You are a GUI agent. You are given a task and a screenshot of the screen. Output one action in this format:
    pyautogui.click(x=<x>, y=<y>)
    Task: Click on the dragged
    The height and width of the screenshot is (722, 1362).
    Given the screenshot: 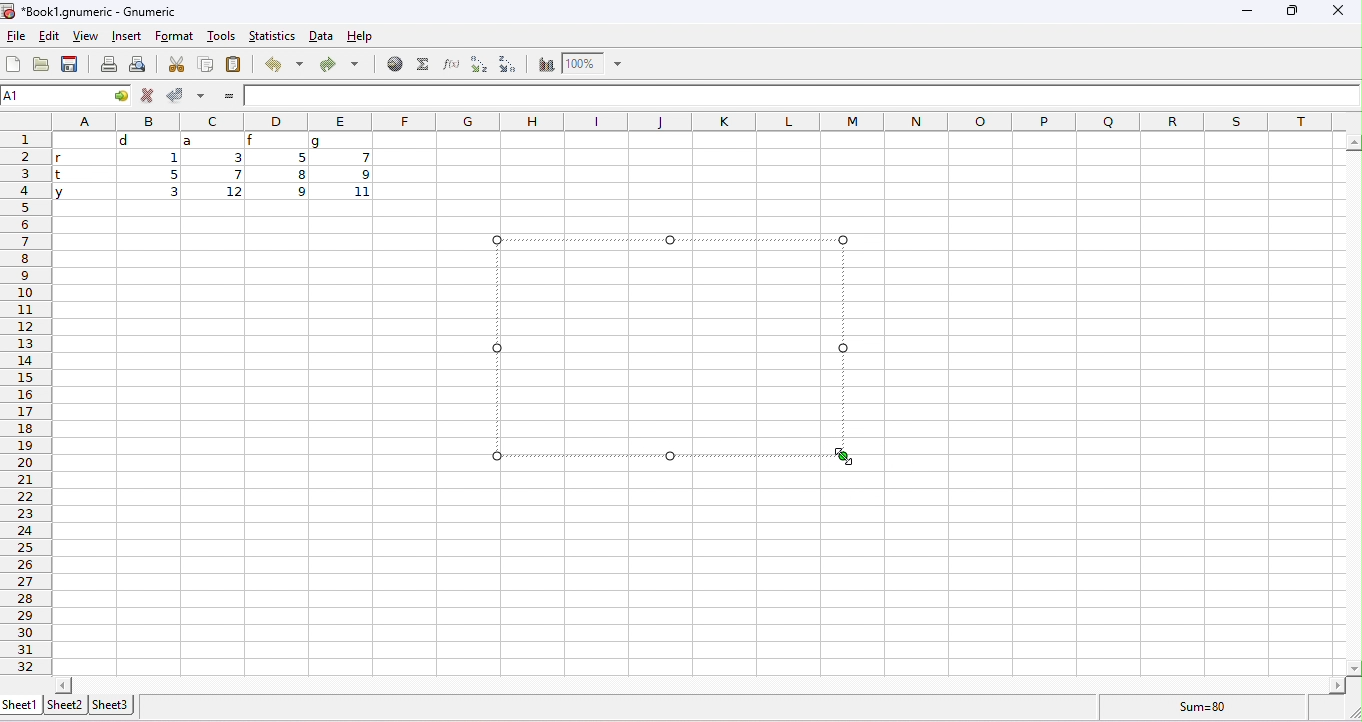 What is the action you would take?
    pyautogui.click(x=663, y=343)
    